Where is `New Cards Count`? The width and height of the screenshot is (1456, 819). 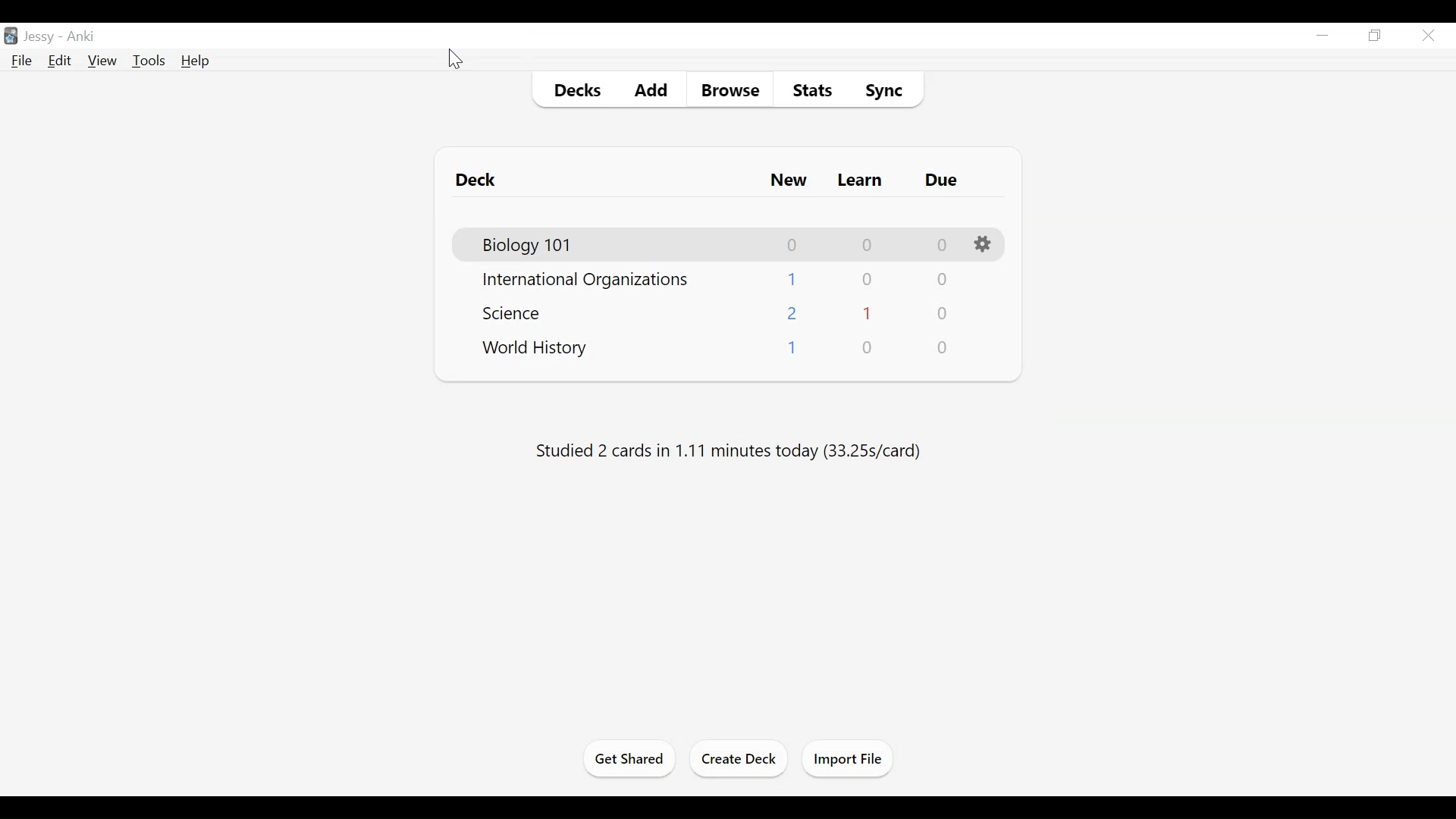 New Cards Count is located at coordinates (791, 280).